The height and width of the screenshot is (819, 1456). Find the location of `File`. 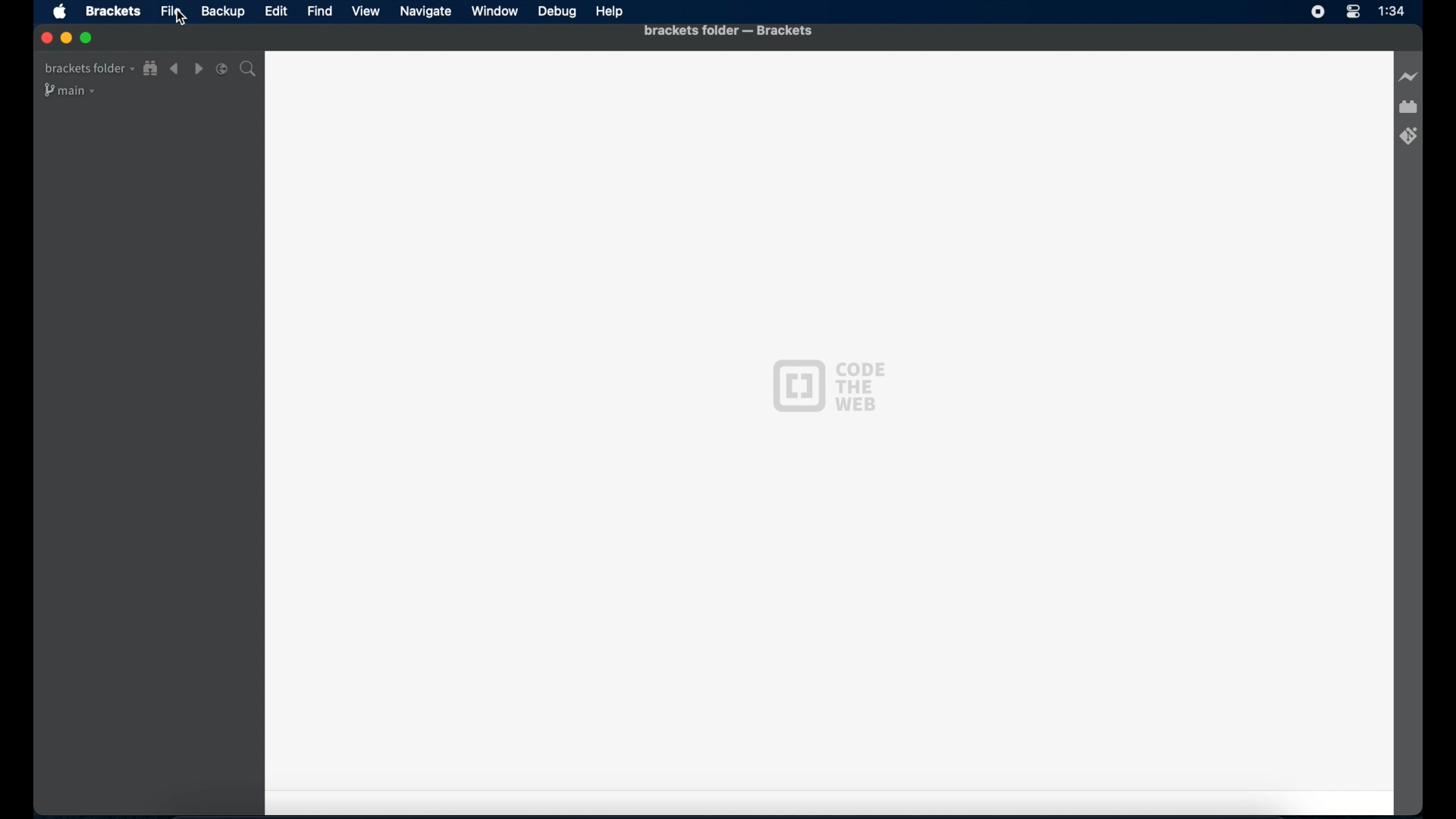

File is located at coordinates (172, 11).